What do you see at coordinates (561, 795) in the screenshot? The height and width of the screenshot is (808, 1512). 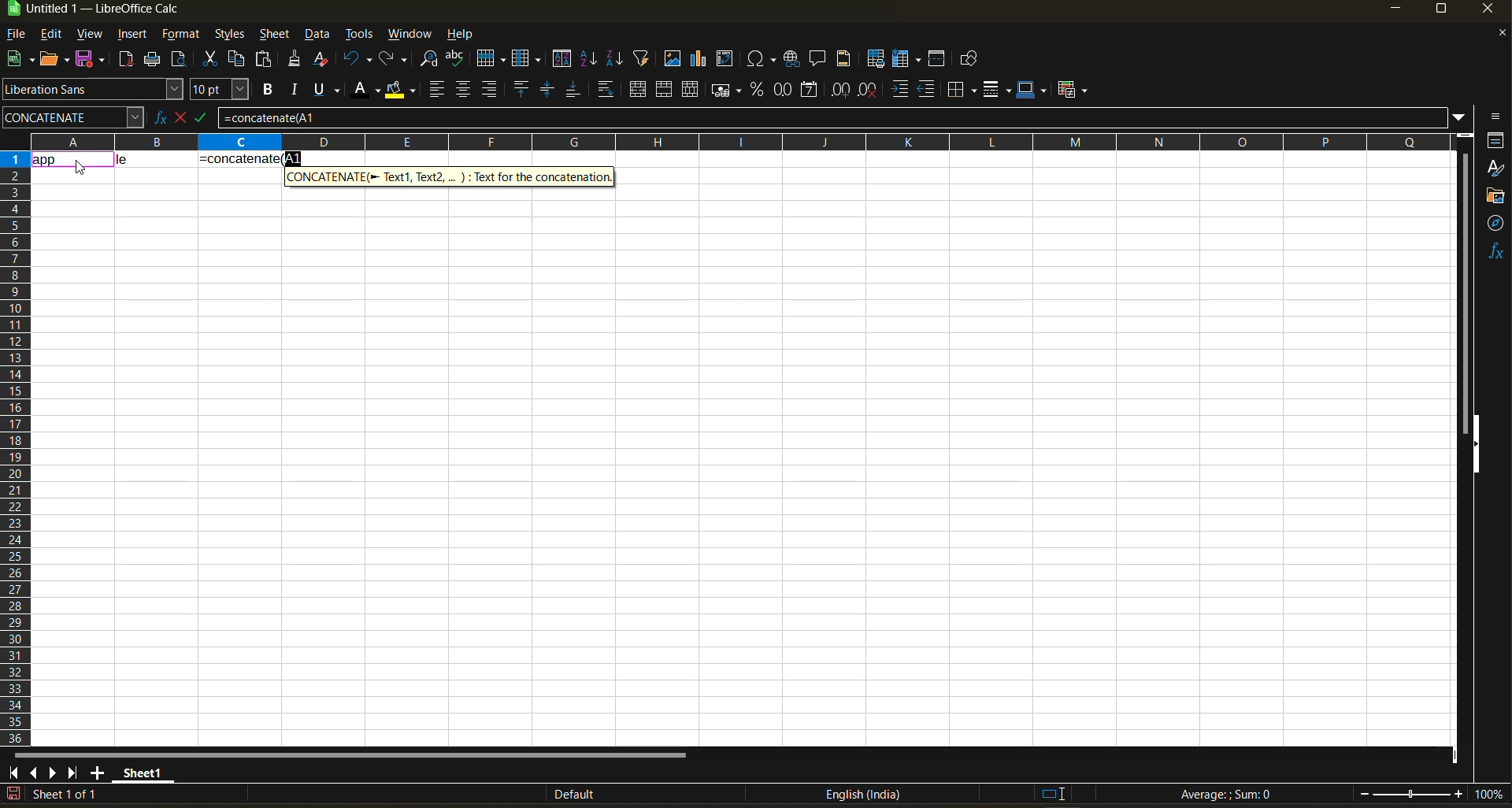 I see `Default` at bounding box center [561, 795].